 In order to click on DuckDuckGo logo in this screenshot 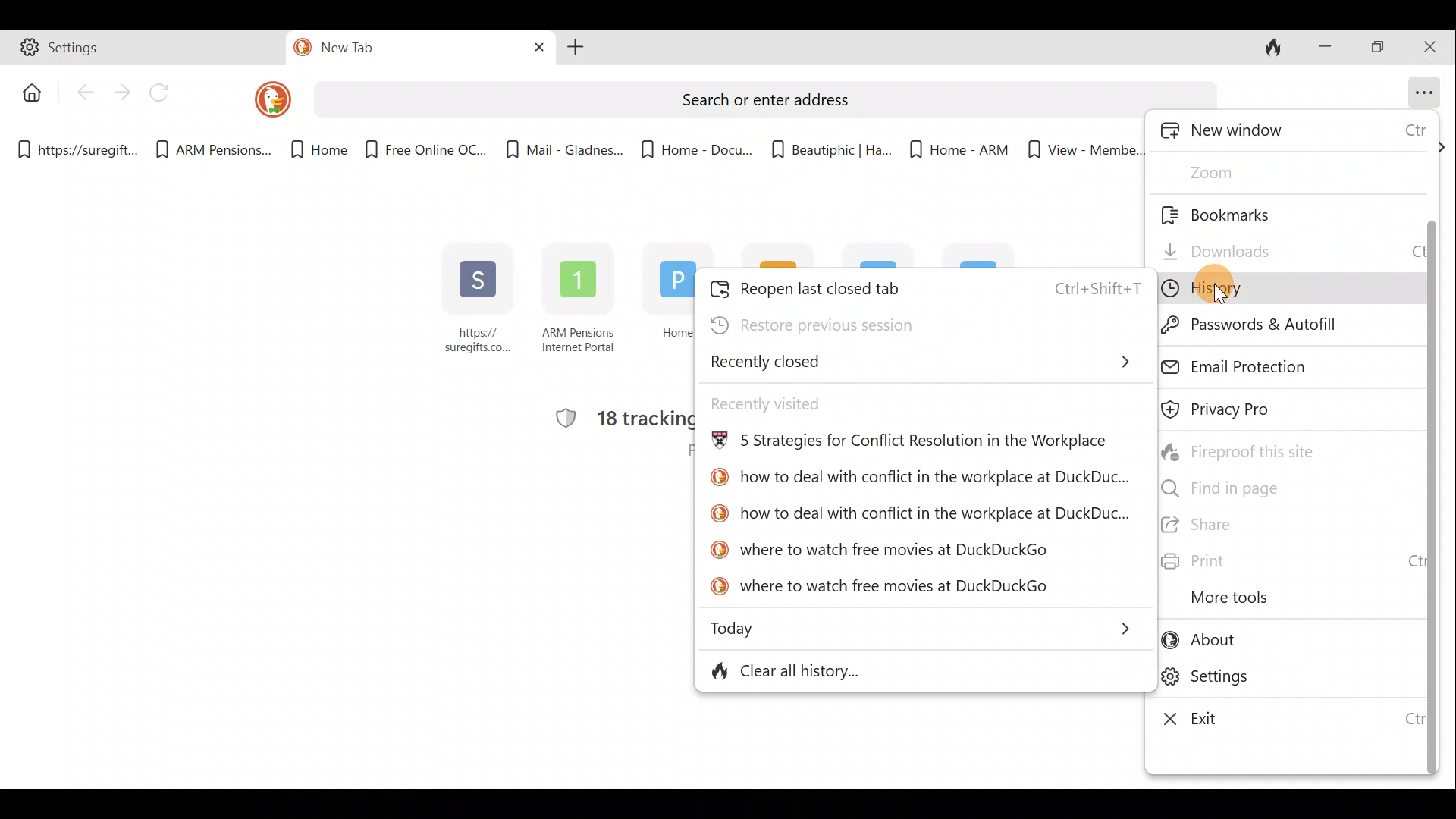, I will do `click(262, 99)`.